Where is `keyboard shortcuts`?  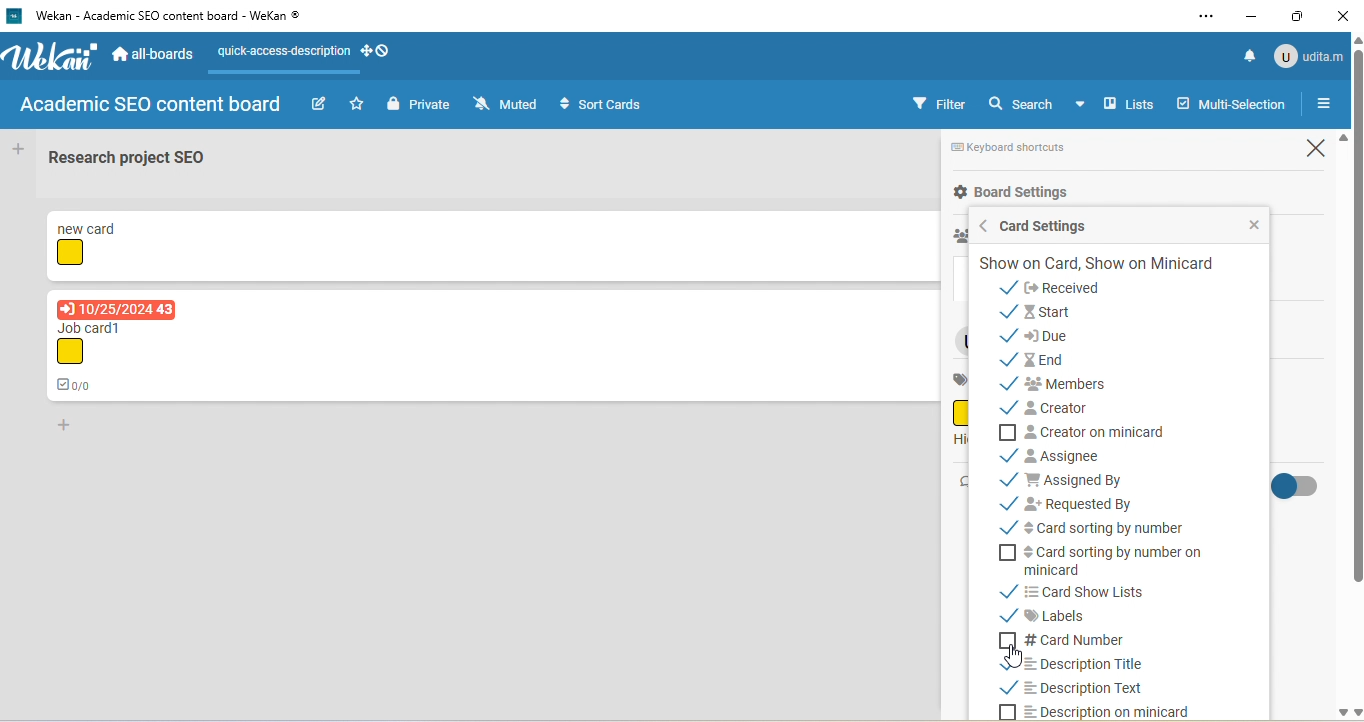 keyboard shortcuts is located at coordinates (1021, 149).